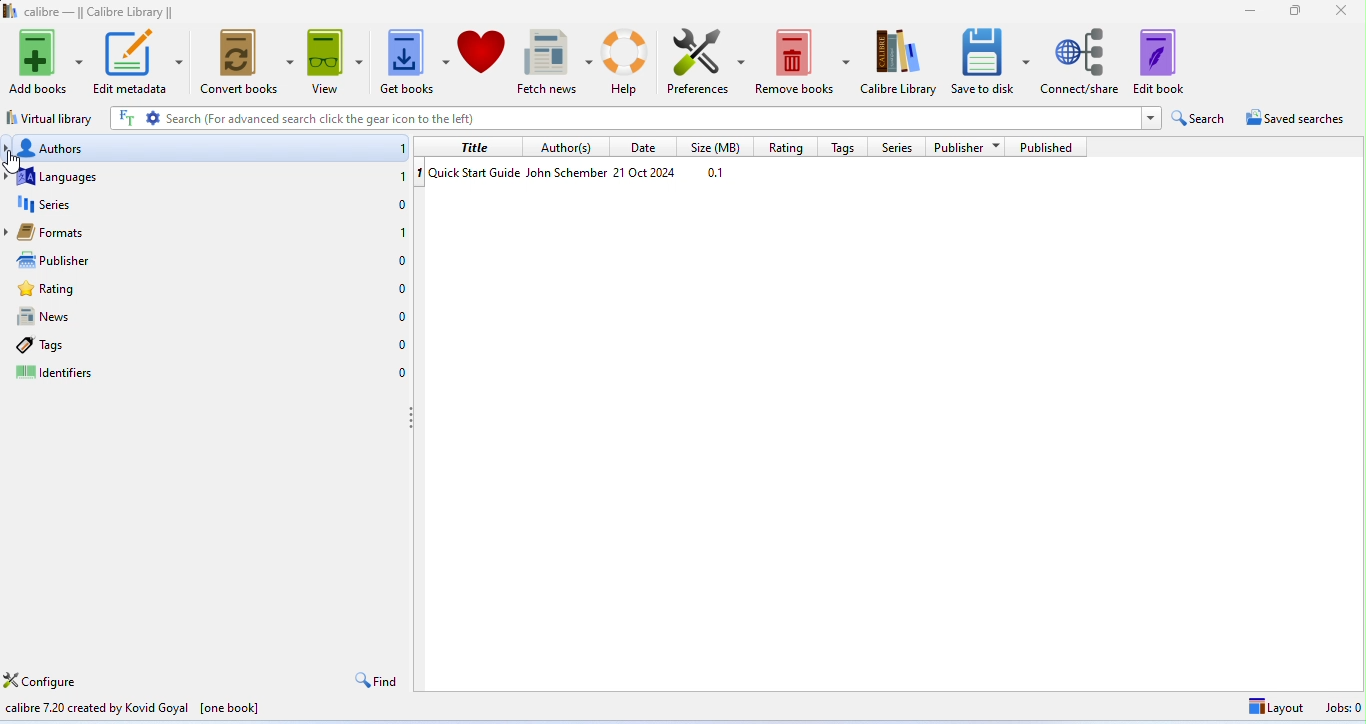  Describe the element at coordinates (414, 58) in the screenshot. I see `get books` at that location.